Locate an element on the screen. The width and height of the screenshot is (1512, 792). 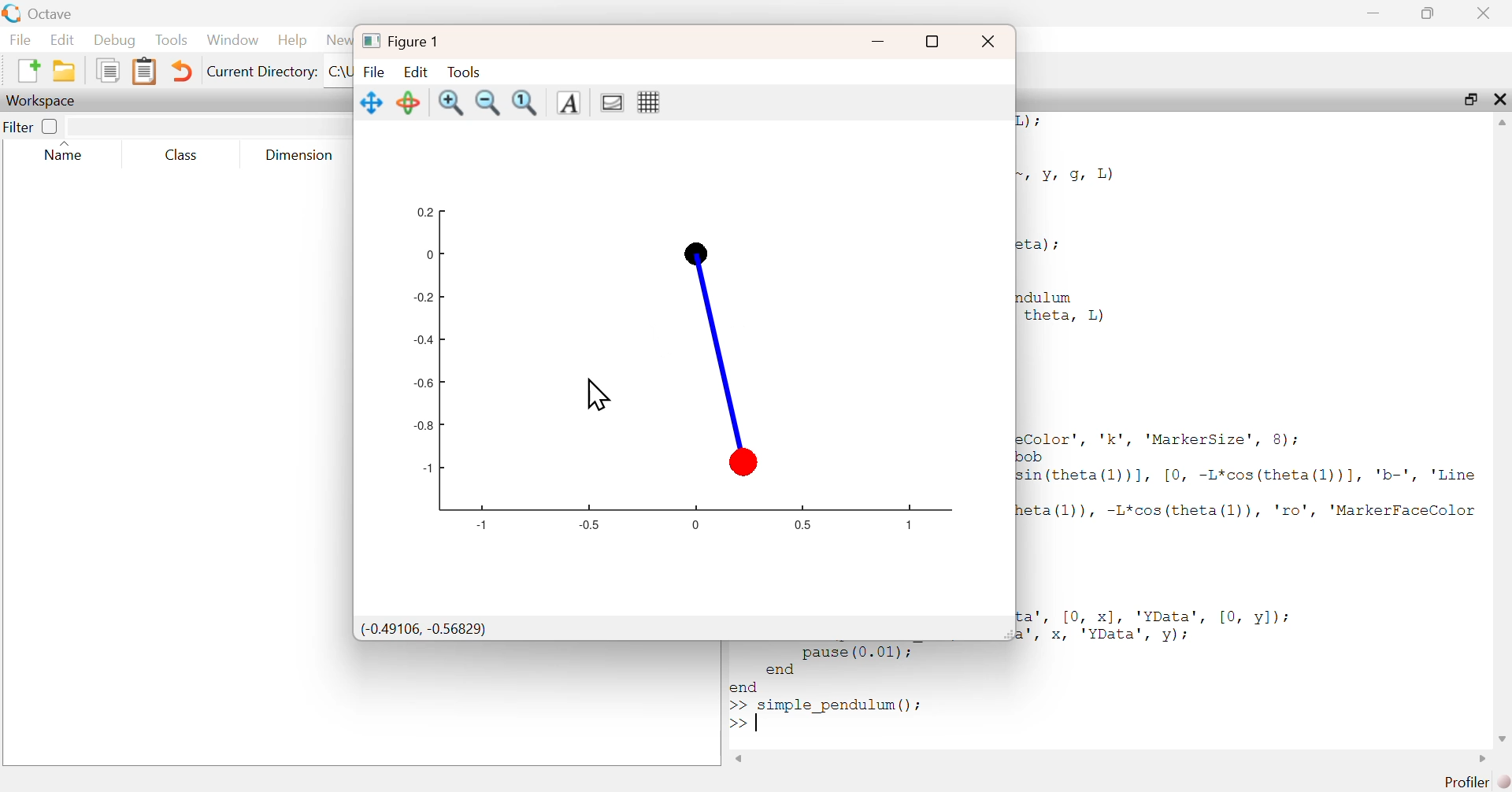
Automatic limits is located at coordinates (526, 102).